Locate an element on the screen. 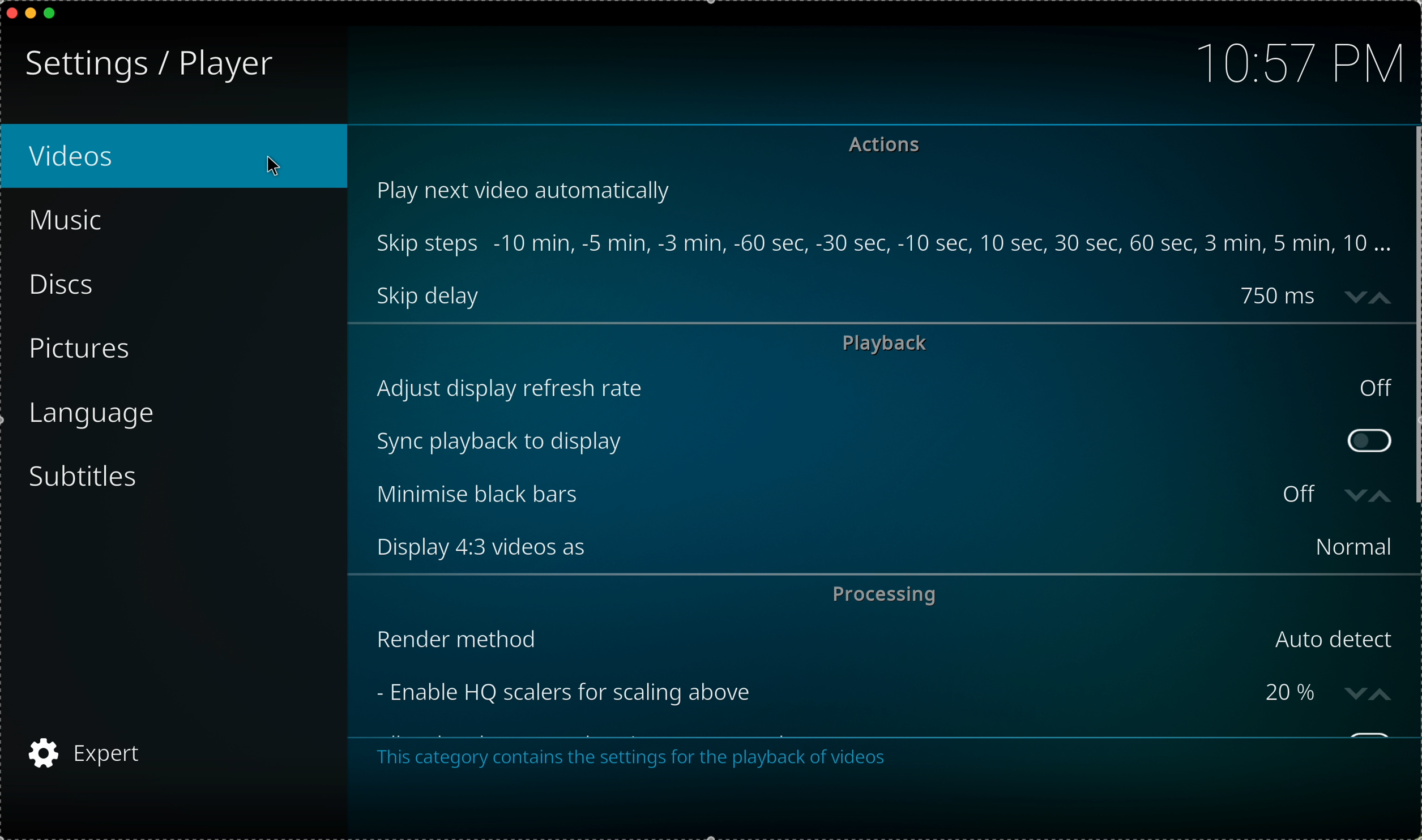  discs is located at coordinates (69, 286).